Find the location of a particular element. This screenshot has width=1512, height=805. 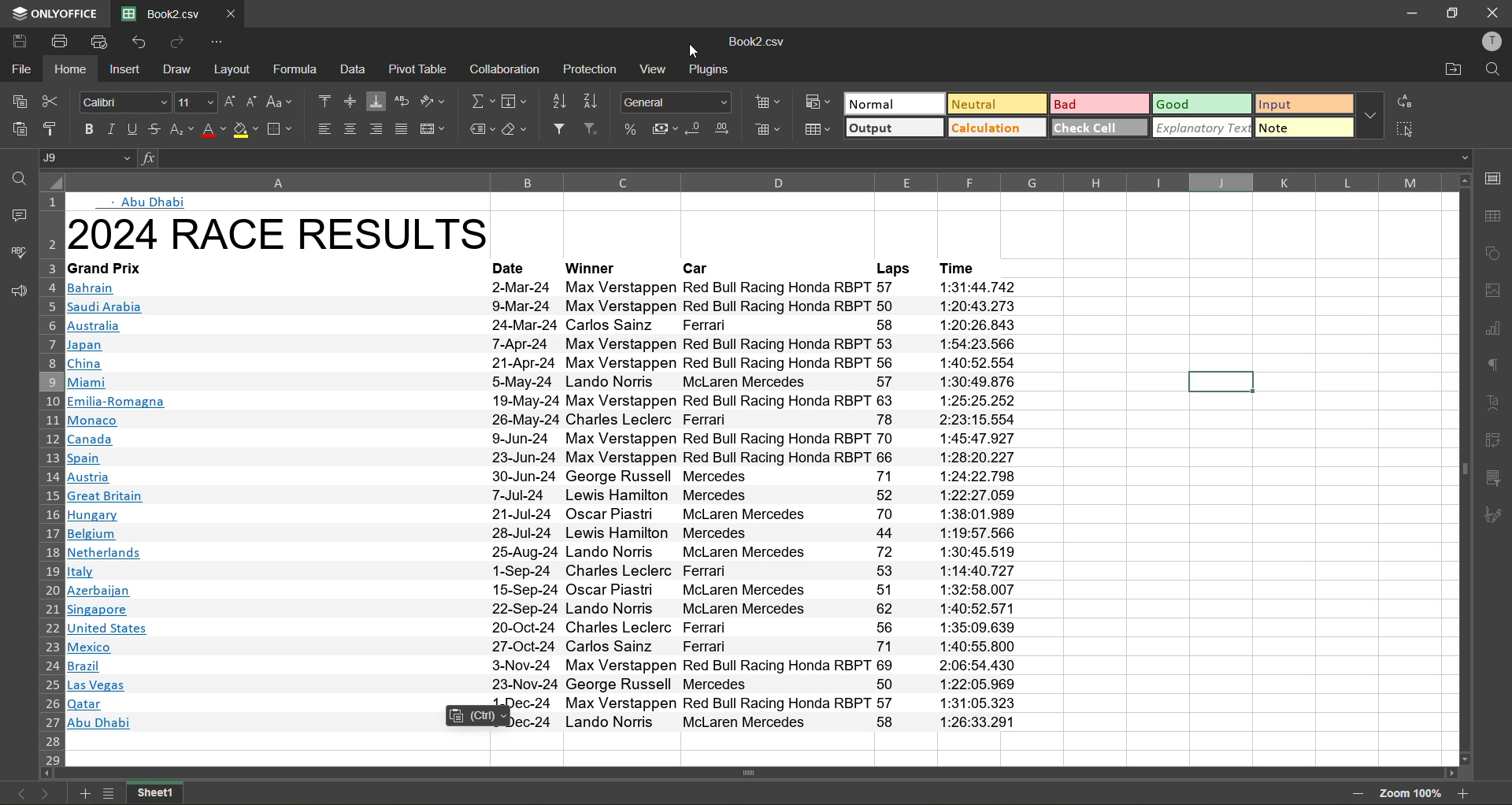

row number is located at coordinates (50, 477).